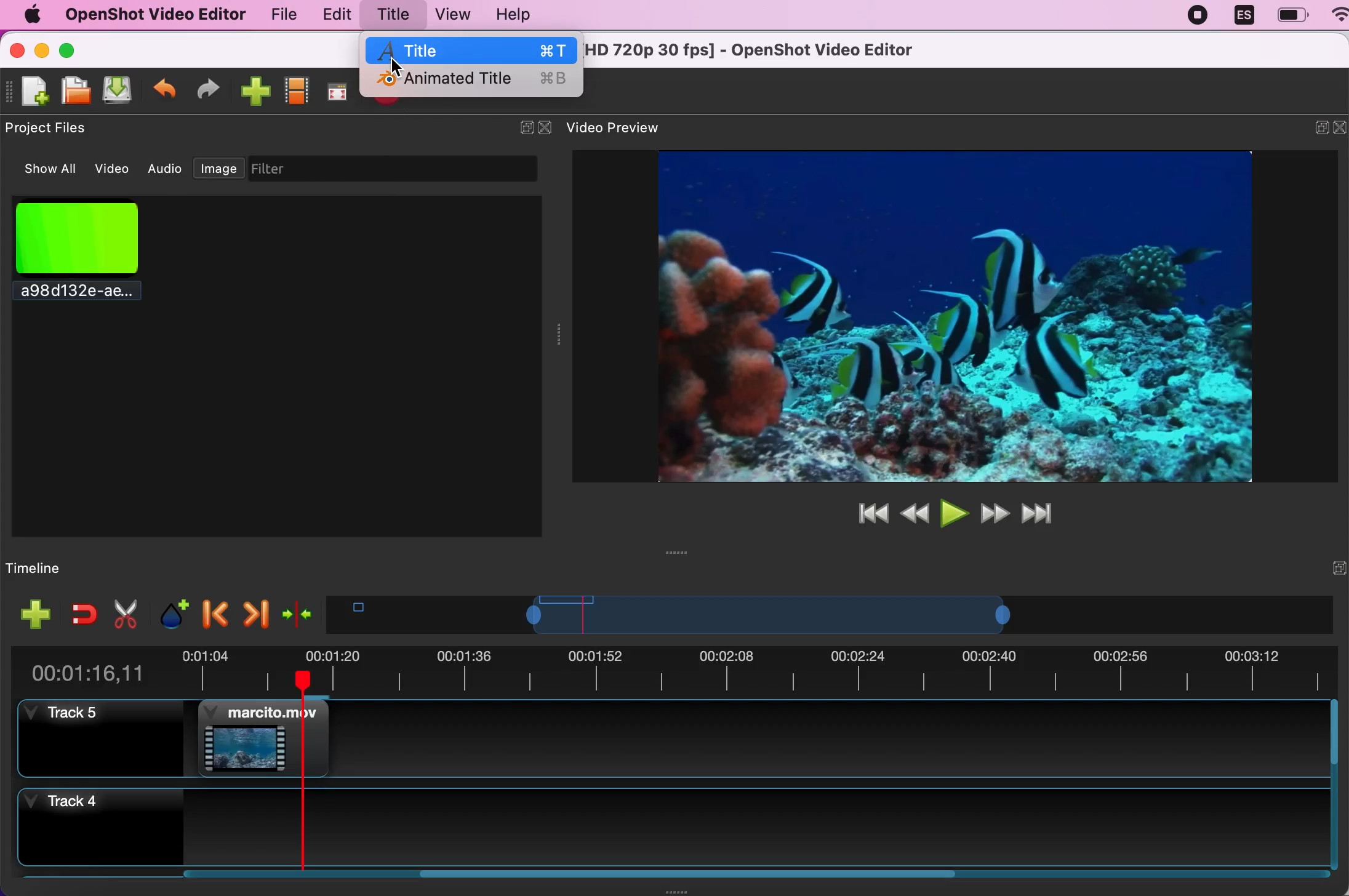 The height and width of the screenshot is (896, 1349). What do you see at coordinates (517, 122) in the screenshot?
I see `hide/expand` at bounding box center [517, 122].